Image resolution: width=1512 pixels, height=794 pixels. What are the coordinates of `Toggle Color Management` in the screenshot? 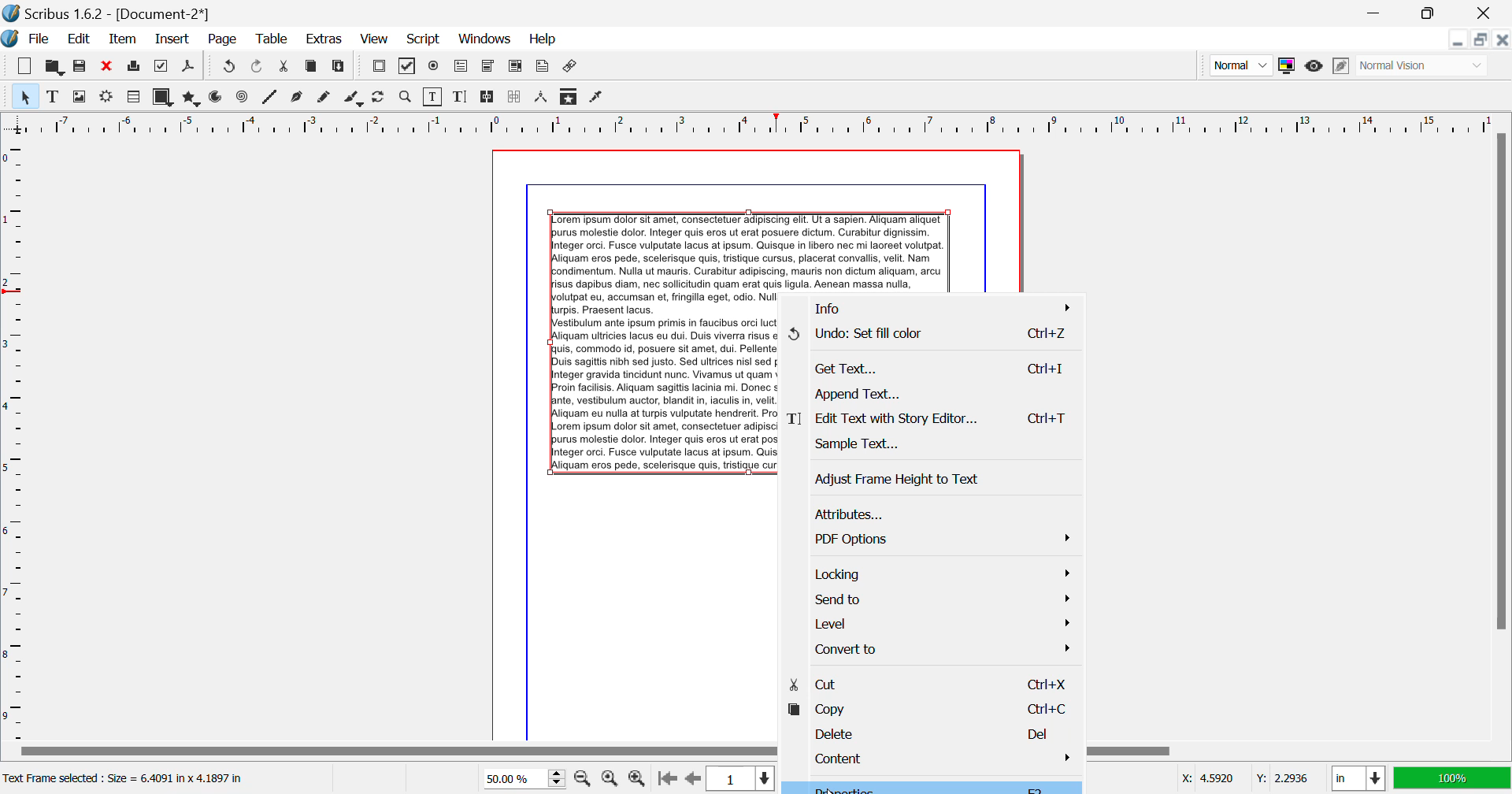 It's located at (1286, 65).